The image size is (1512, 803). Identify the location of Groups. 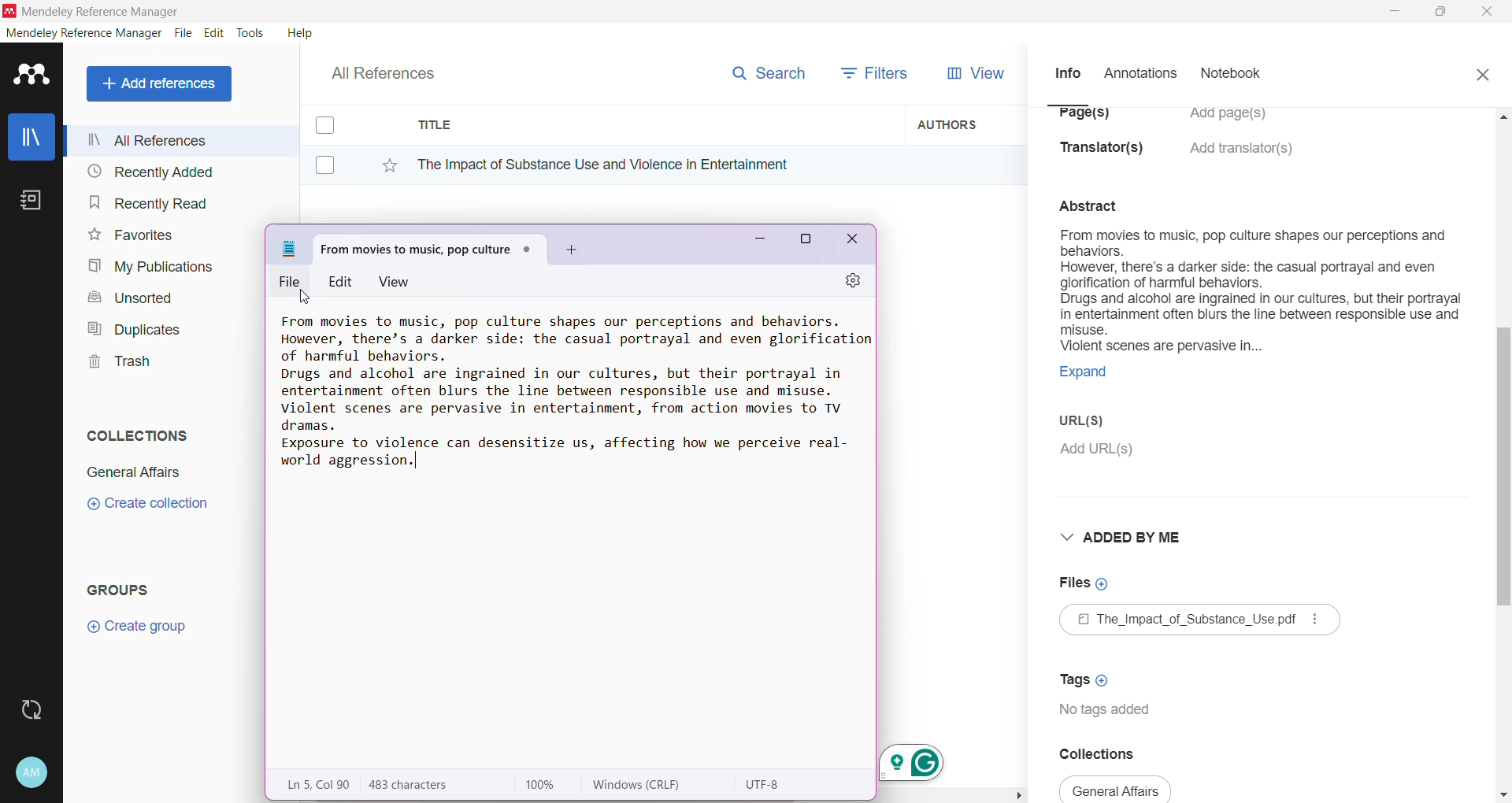
(124, 589).